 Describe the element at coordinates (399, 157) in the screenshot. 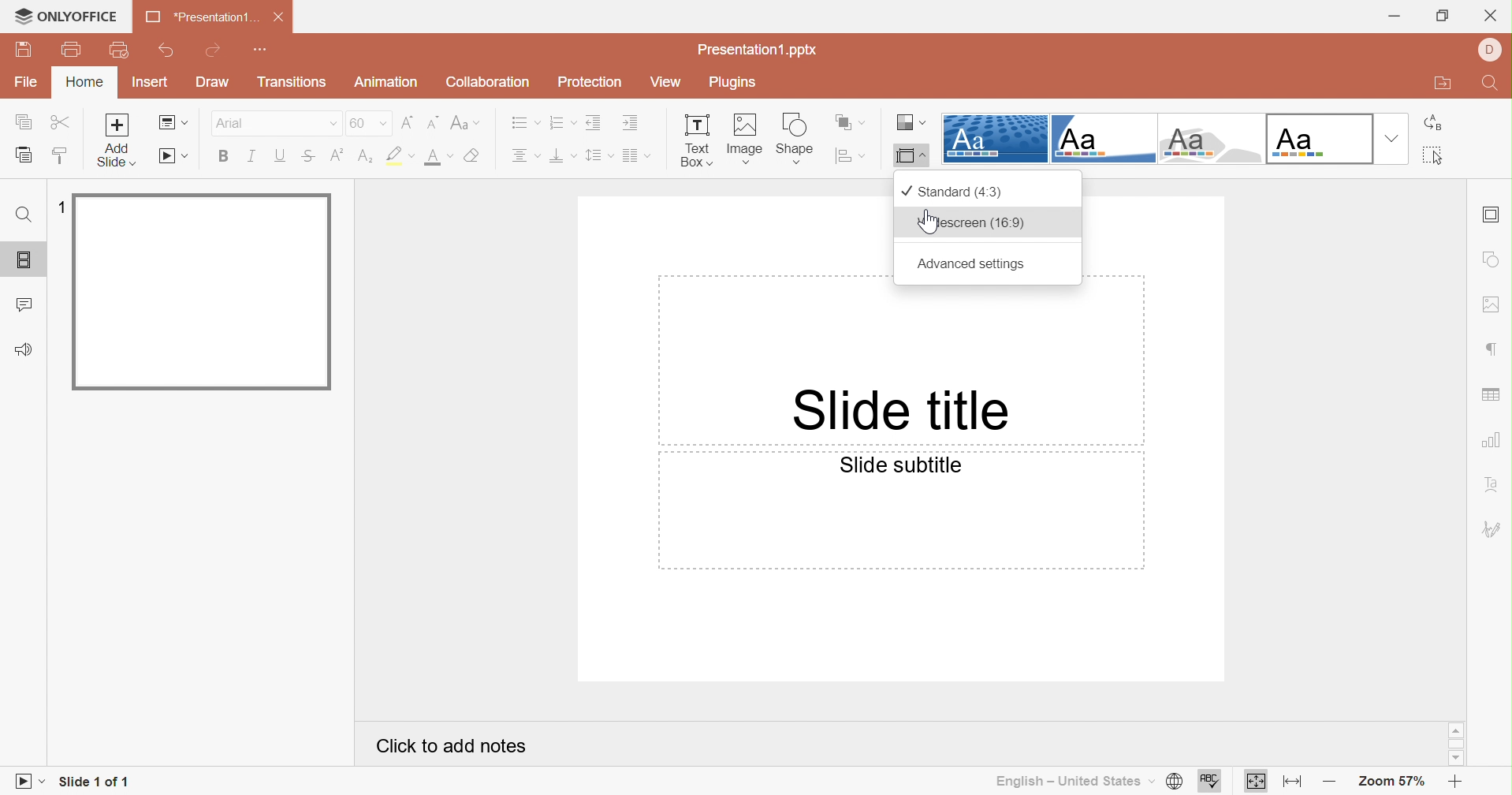

I see `Highlight color` at that location.